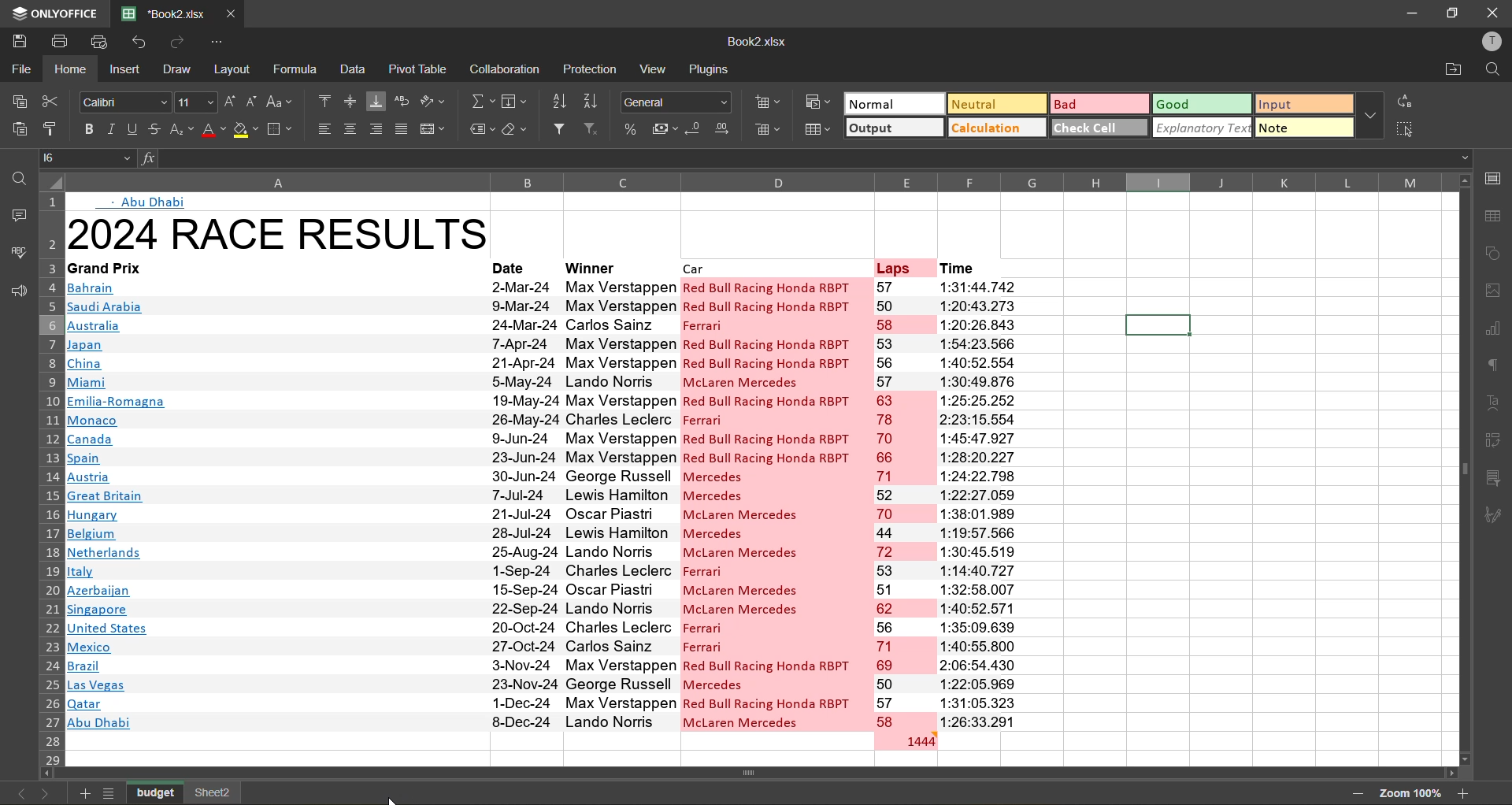 The image size is (1512, 805). Describe the element at coordinates (1096, 102) in the screenshot. I see `bad` at that location.